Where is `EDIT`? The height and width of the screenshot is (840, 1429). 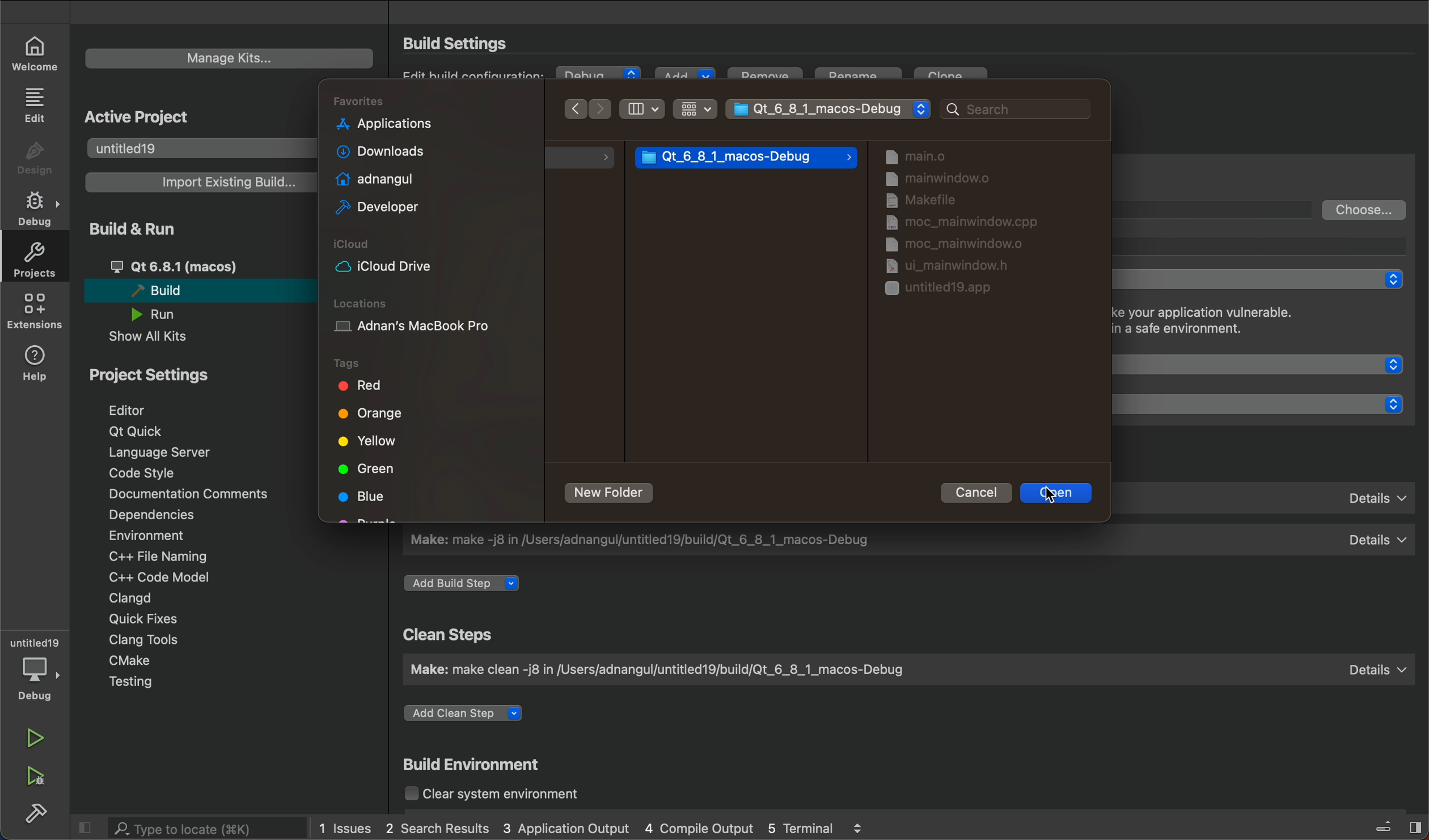
EDIT is located at coordinates (37, 104).